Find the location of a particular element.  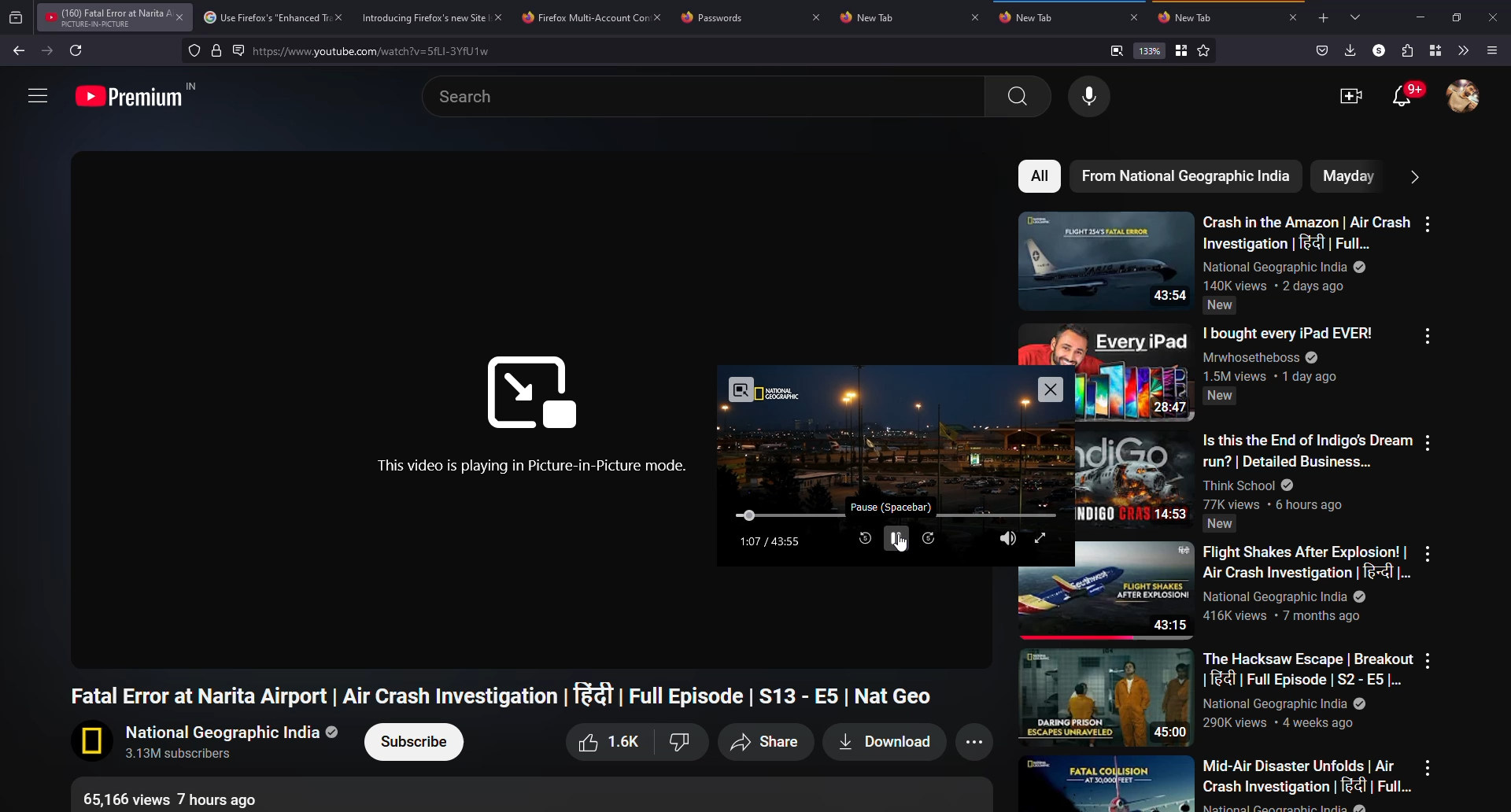

menu is located at coordinates (1494, 50).